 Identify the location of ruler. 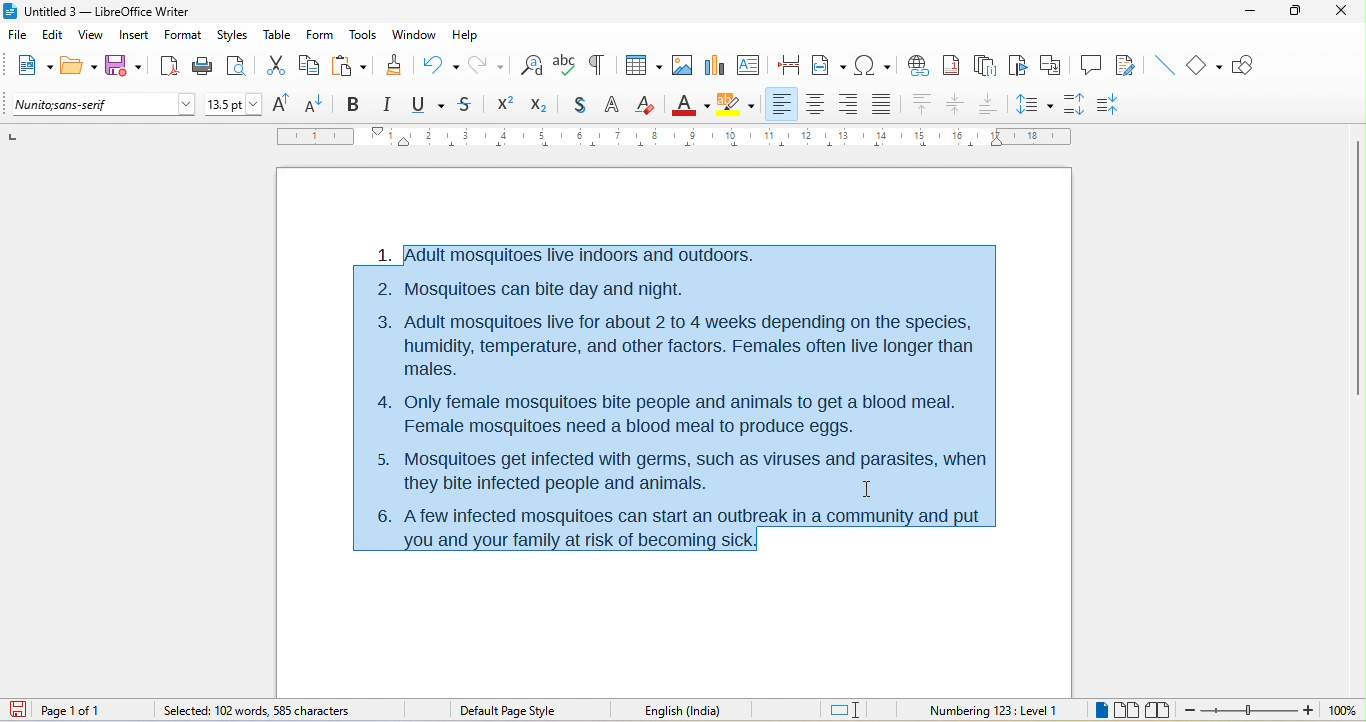
(673, 137).